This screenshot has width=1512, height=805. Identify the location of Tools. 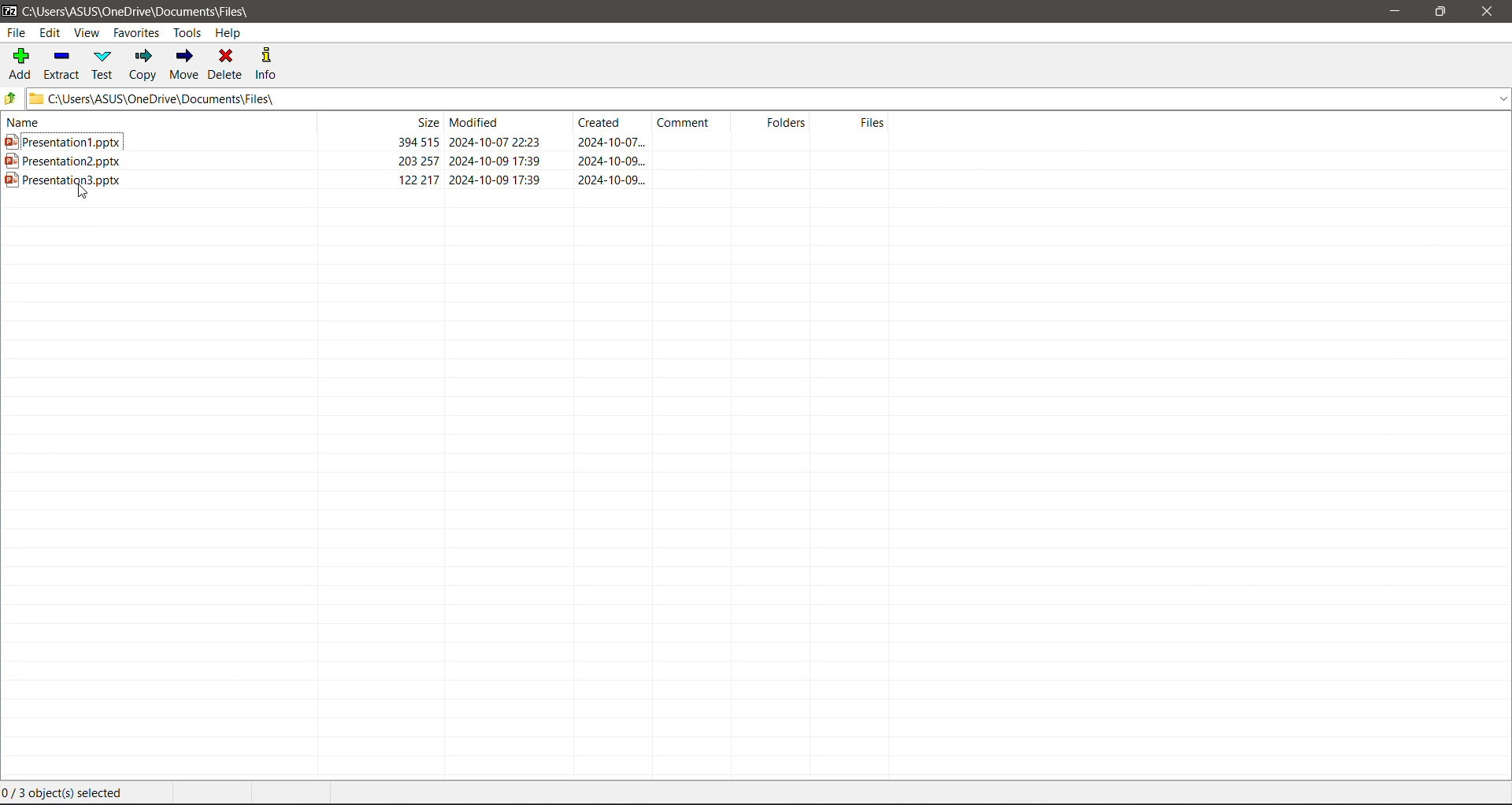
(186, 33).